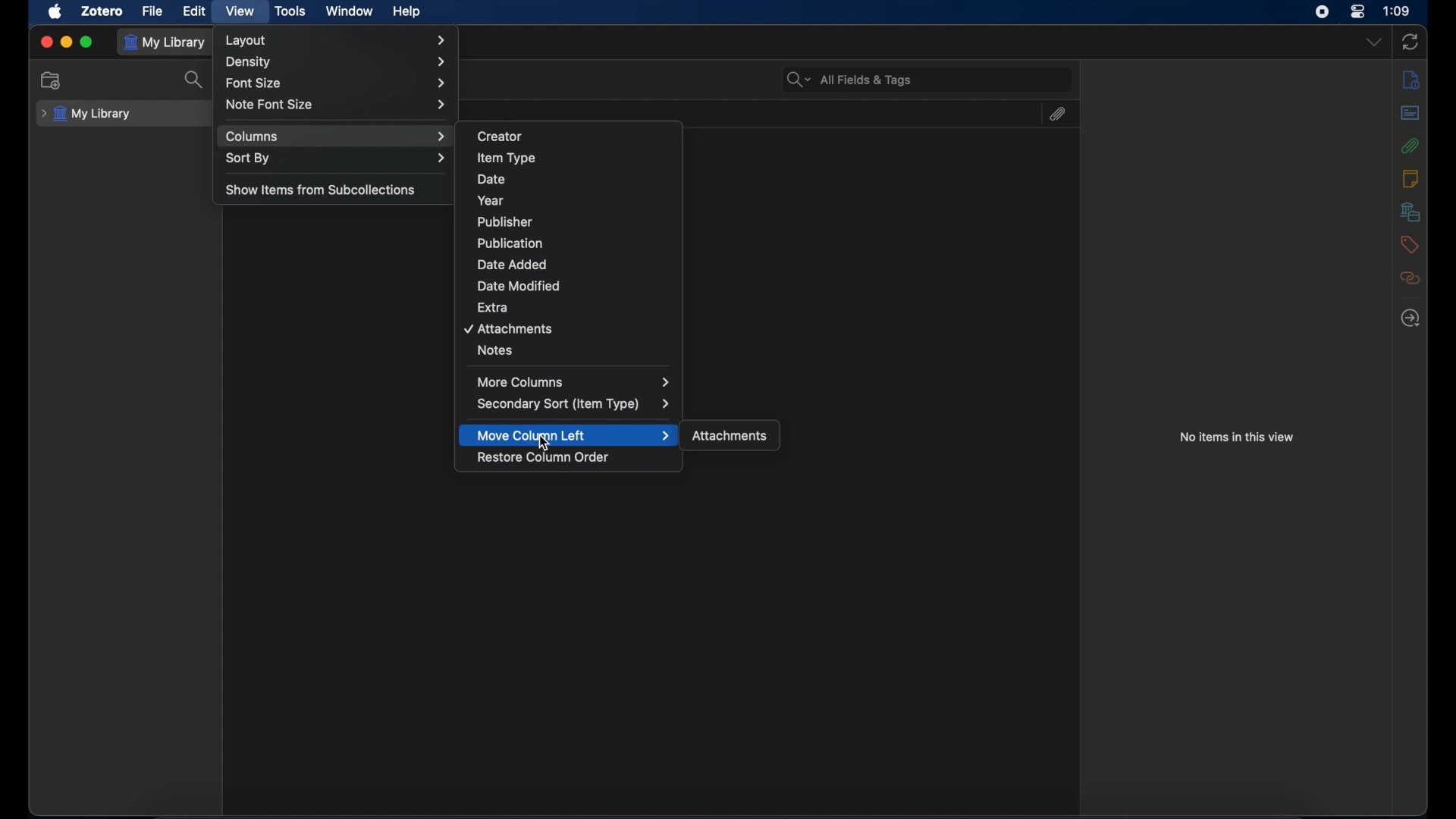 The image size is (1456, 819). What do you see at coordinates (491, 200) in the screenshot?
I see `year` at bounding box center [491, 200].